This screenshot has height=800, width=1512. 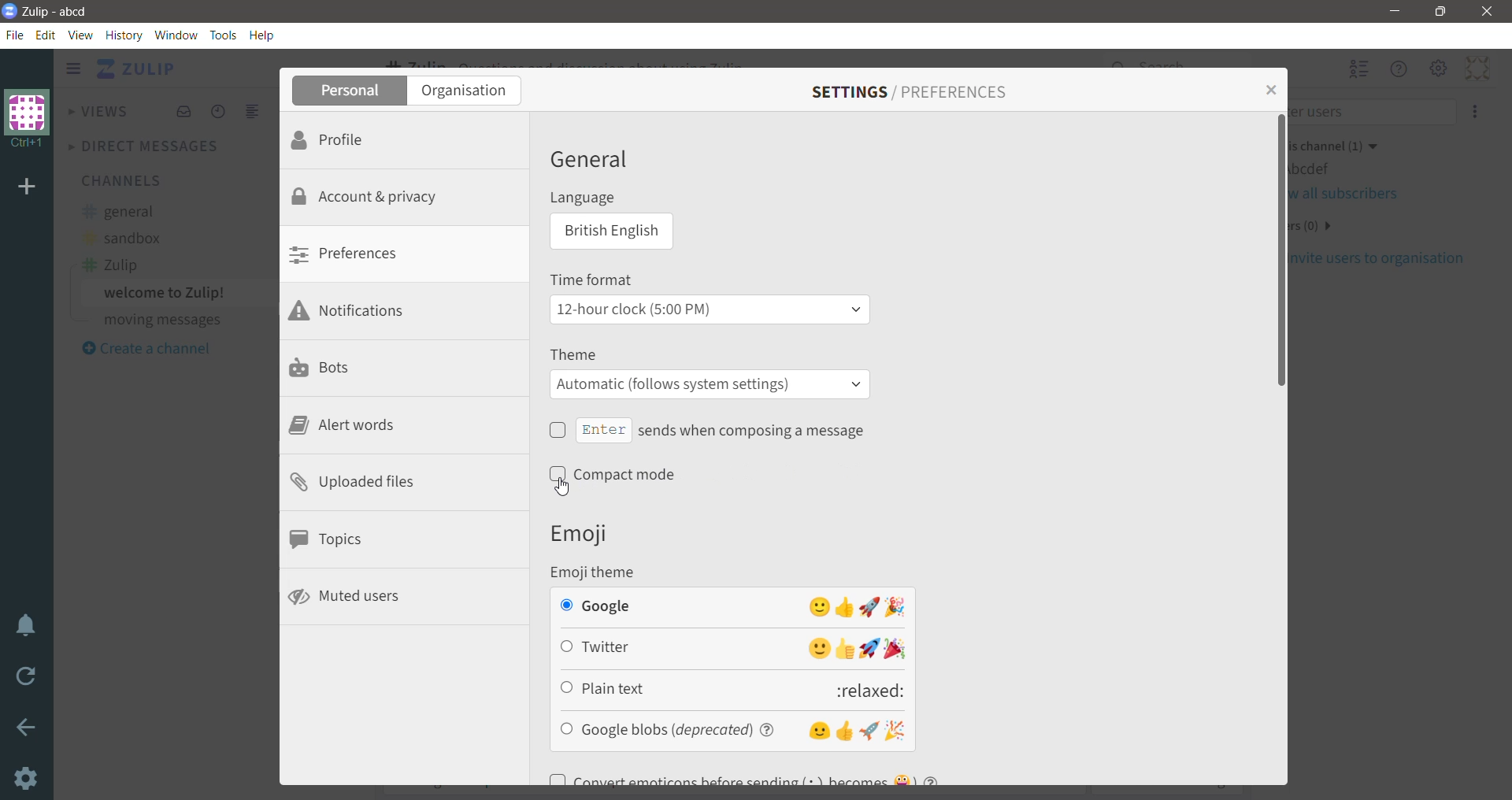 I want to click on Show/Hide left sidebar, so click(x=73, y=69).